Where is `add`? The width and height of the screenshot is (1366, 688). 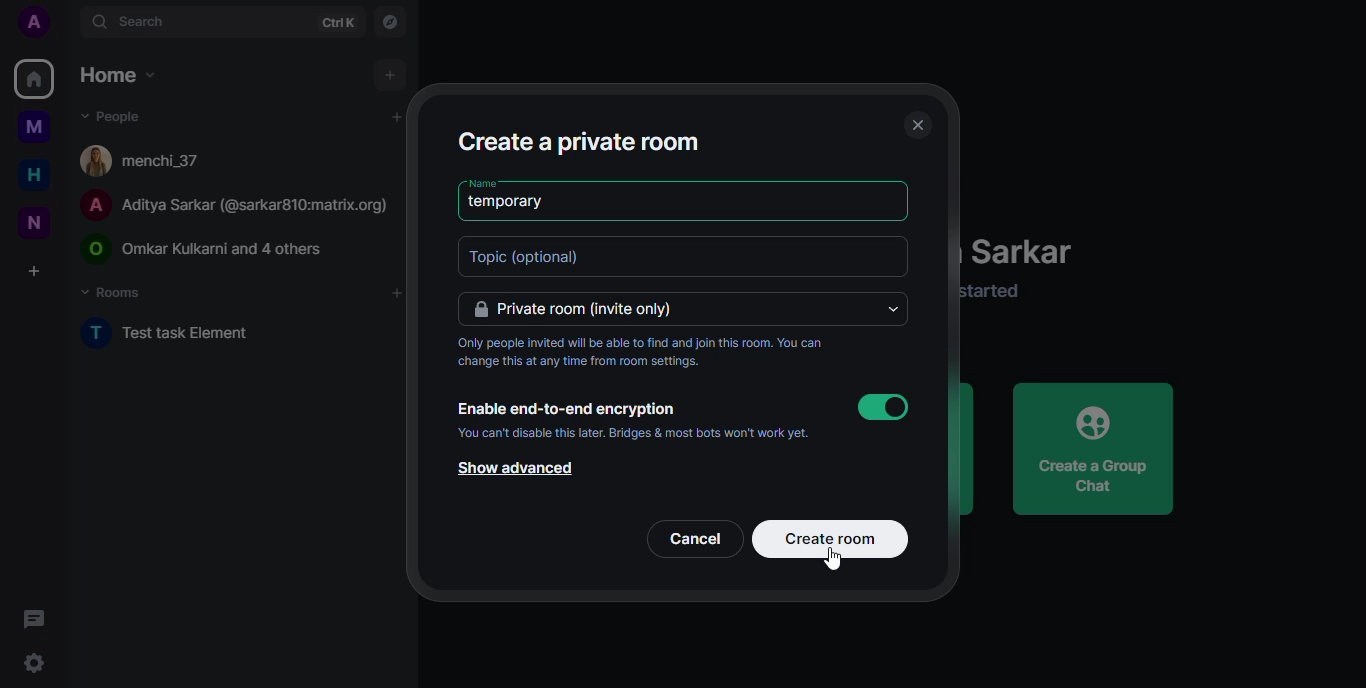
add is located at coordinates (396, 116).